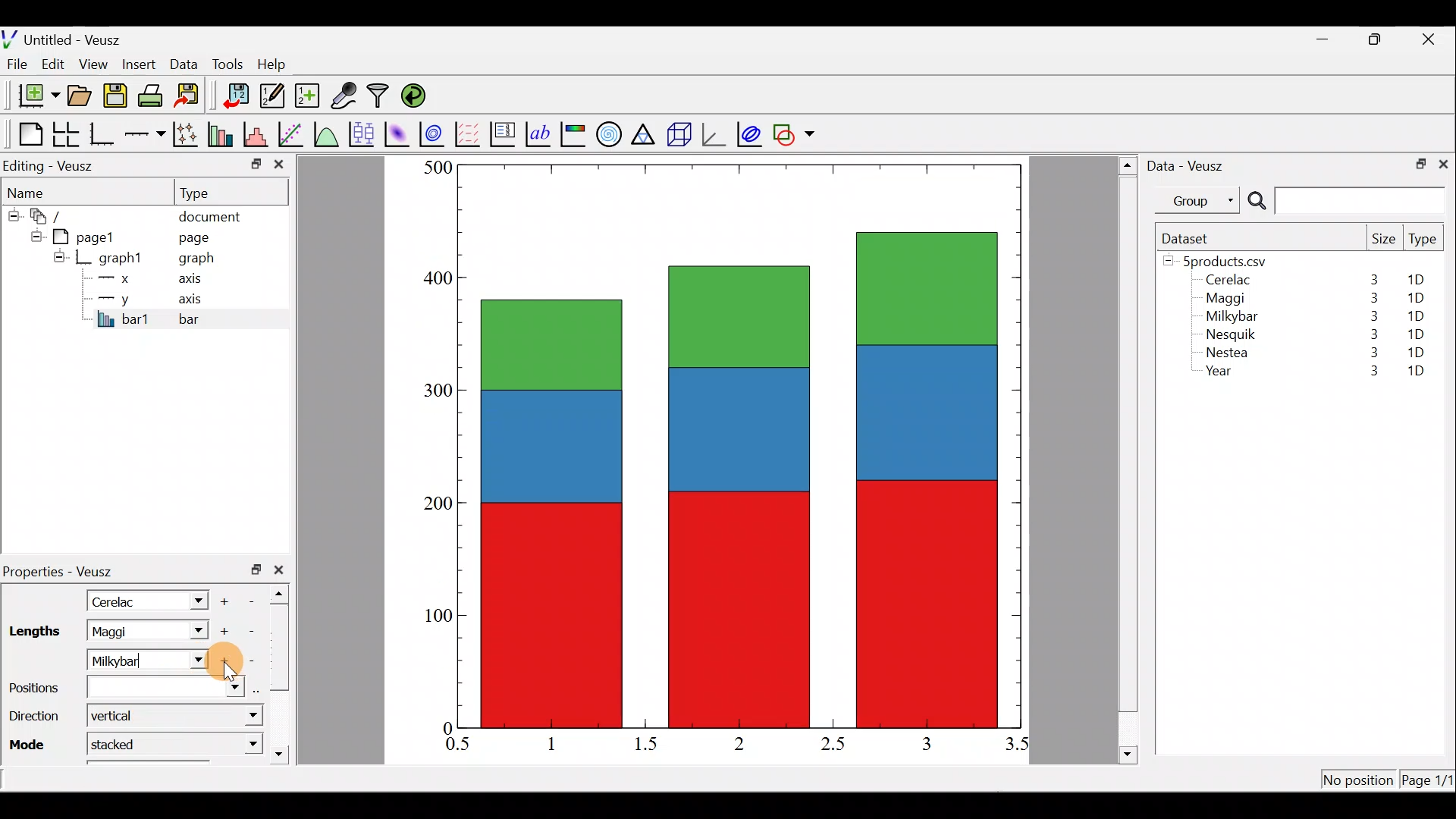 Image resolution: width=1456 pixels, height=819 pixels. Describe the element at coordinates (226, 664) in the screenshot. I see `Cursor` at that location.